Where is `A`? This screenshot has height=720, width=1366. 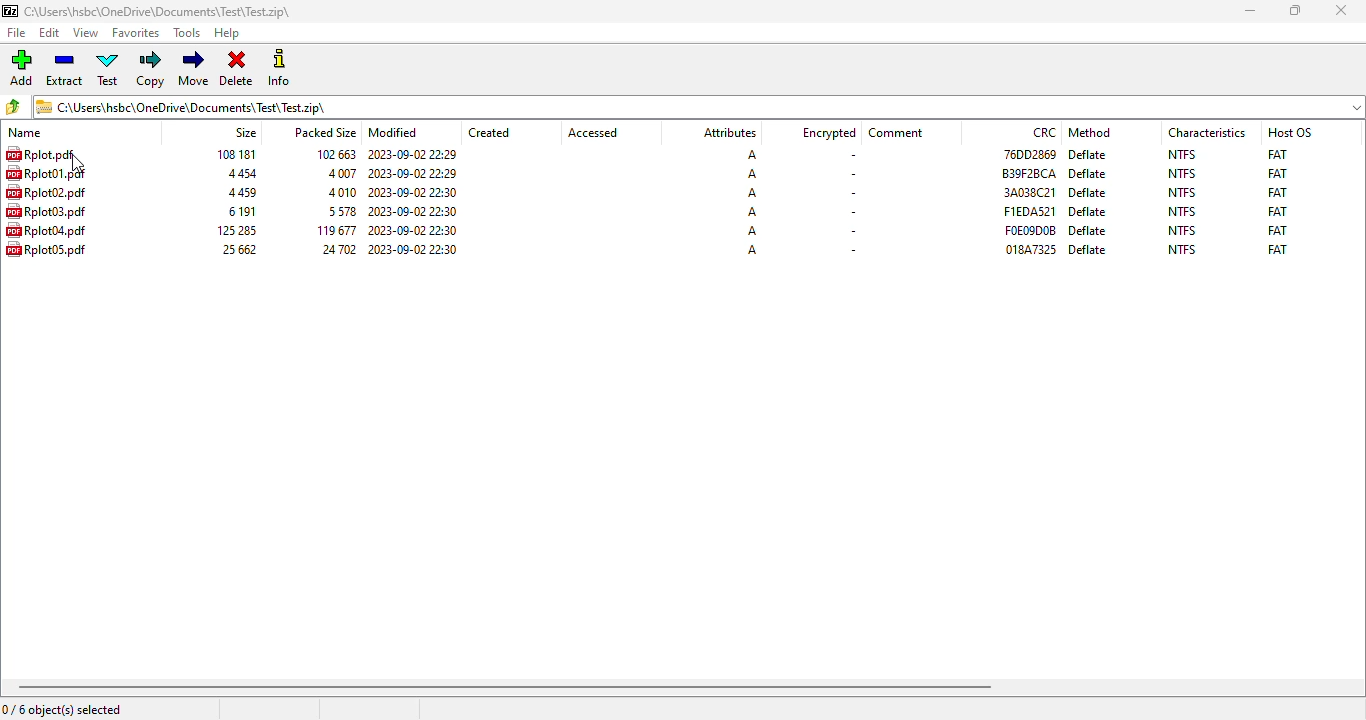
A is located at coordinates (752, 249).